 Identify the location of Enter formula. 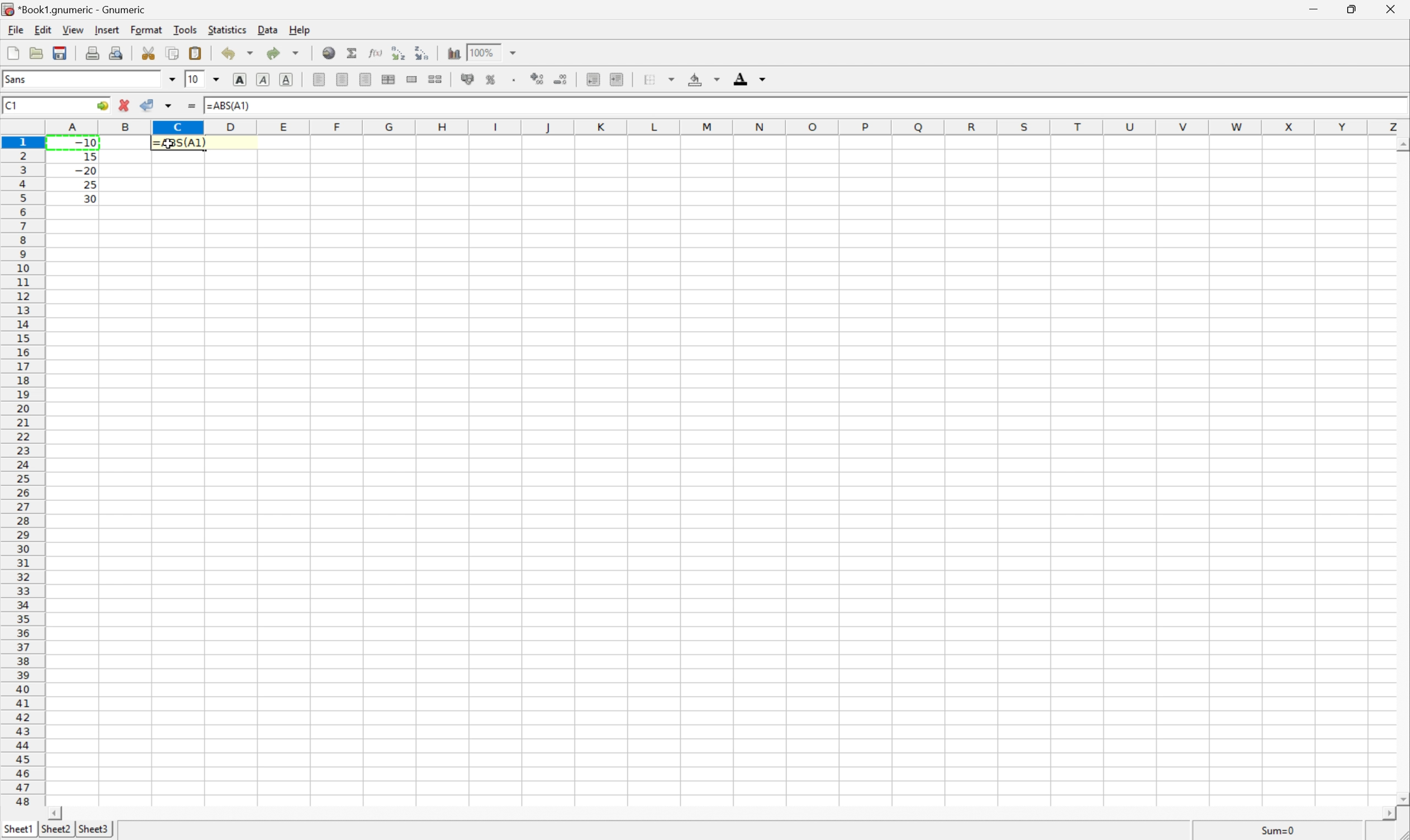
(194, 107).